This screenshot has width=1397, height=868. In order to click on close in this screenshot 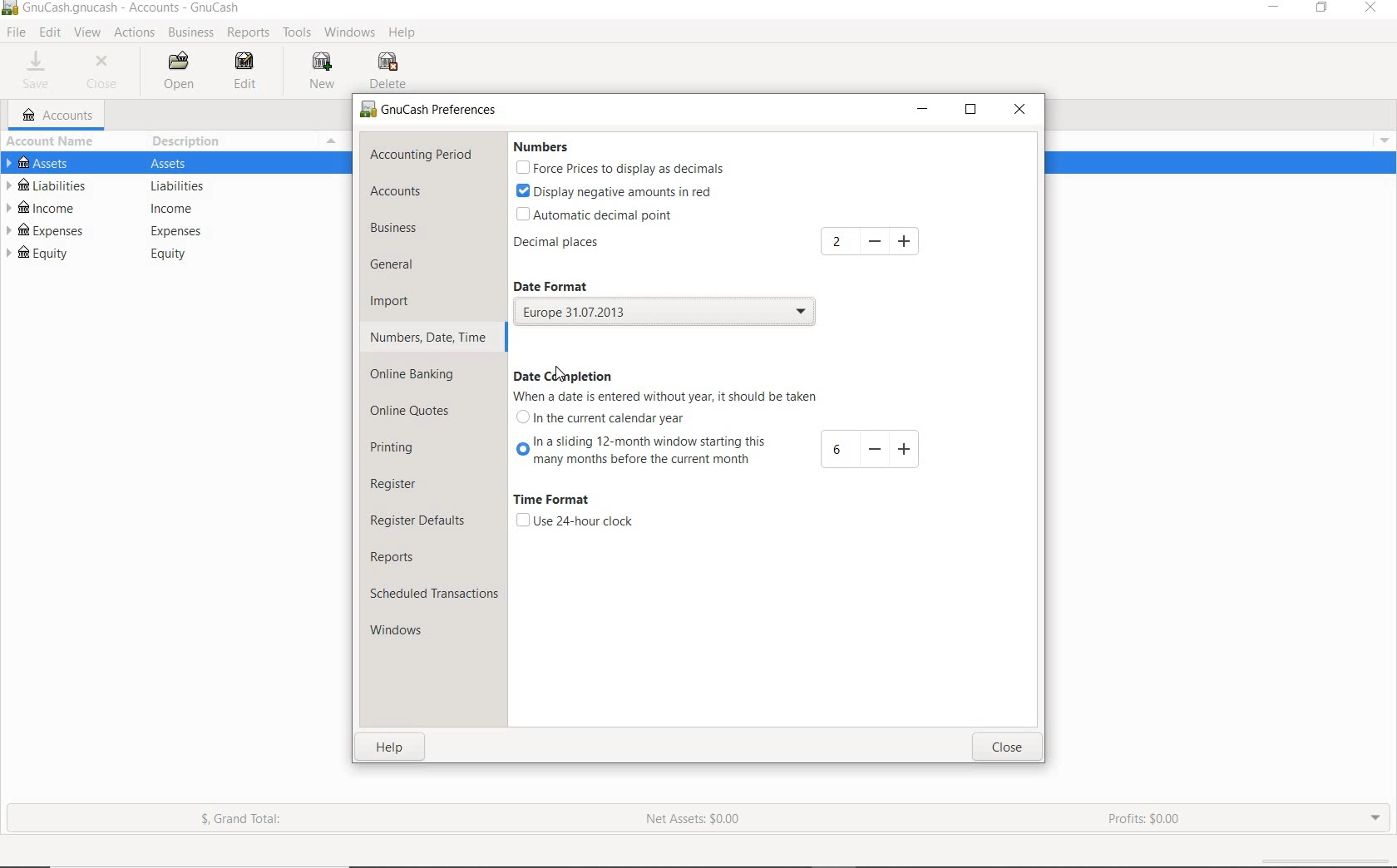, I will do `click(1006, 748)`.